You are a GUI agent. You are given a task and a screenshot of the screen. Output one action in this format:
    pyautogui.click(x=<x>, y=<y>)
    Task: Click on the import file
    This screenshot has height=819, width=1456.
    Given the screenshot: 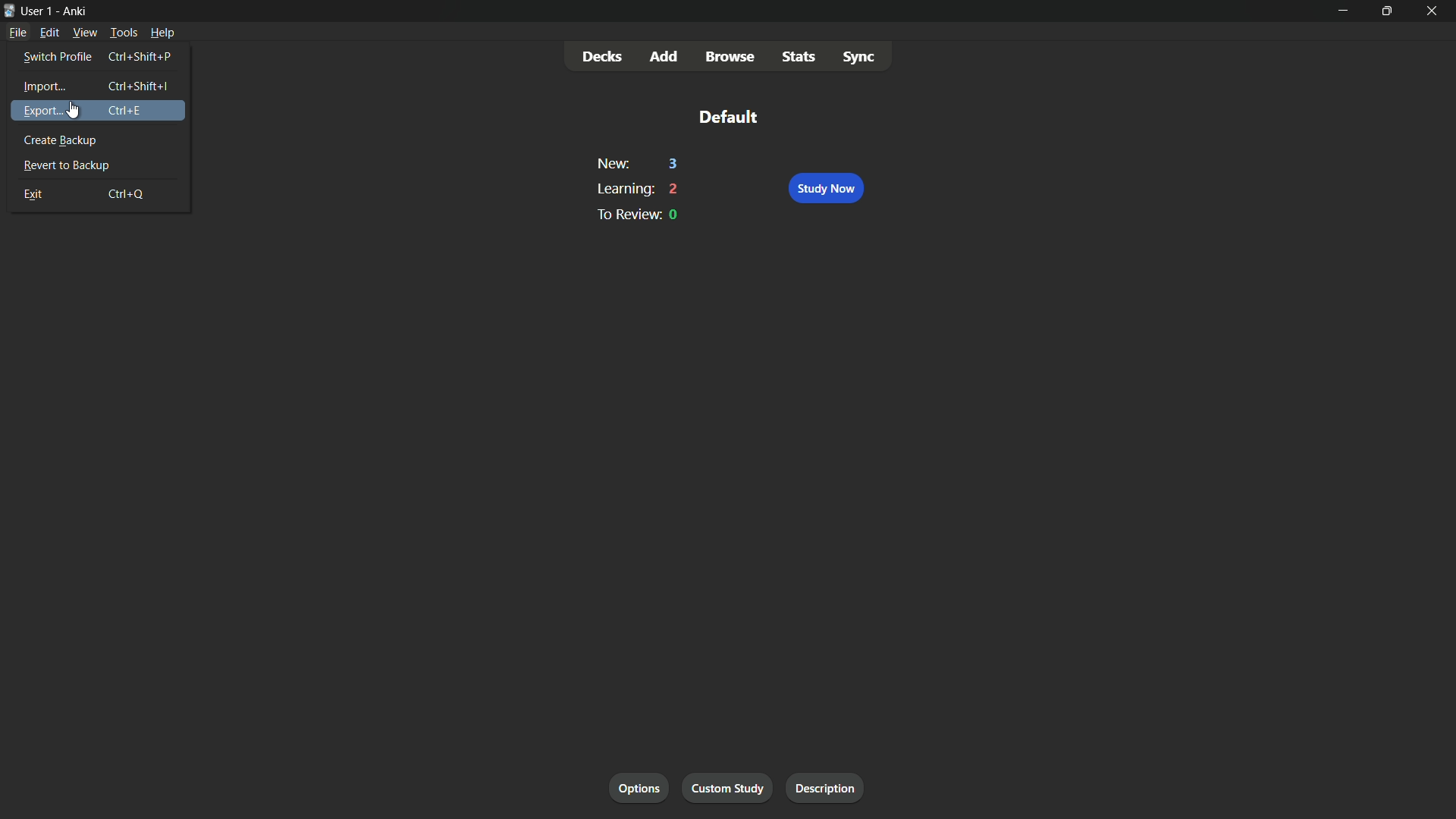 What is the action you would take?
    pyautogui.click(x=830, y=789)
    